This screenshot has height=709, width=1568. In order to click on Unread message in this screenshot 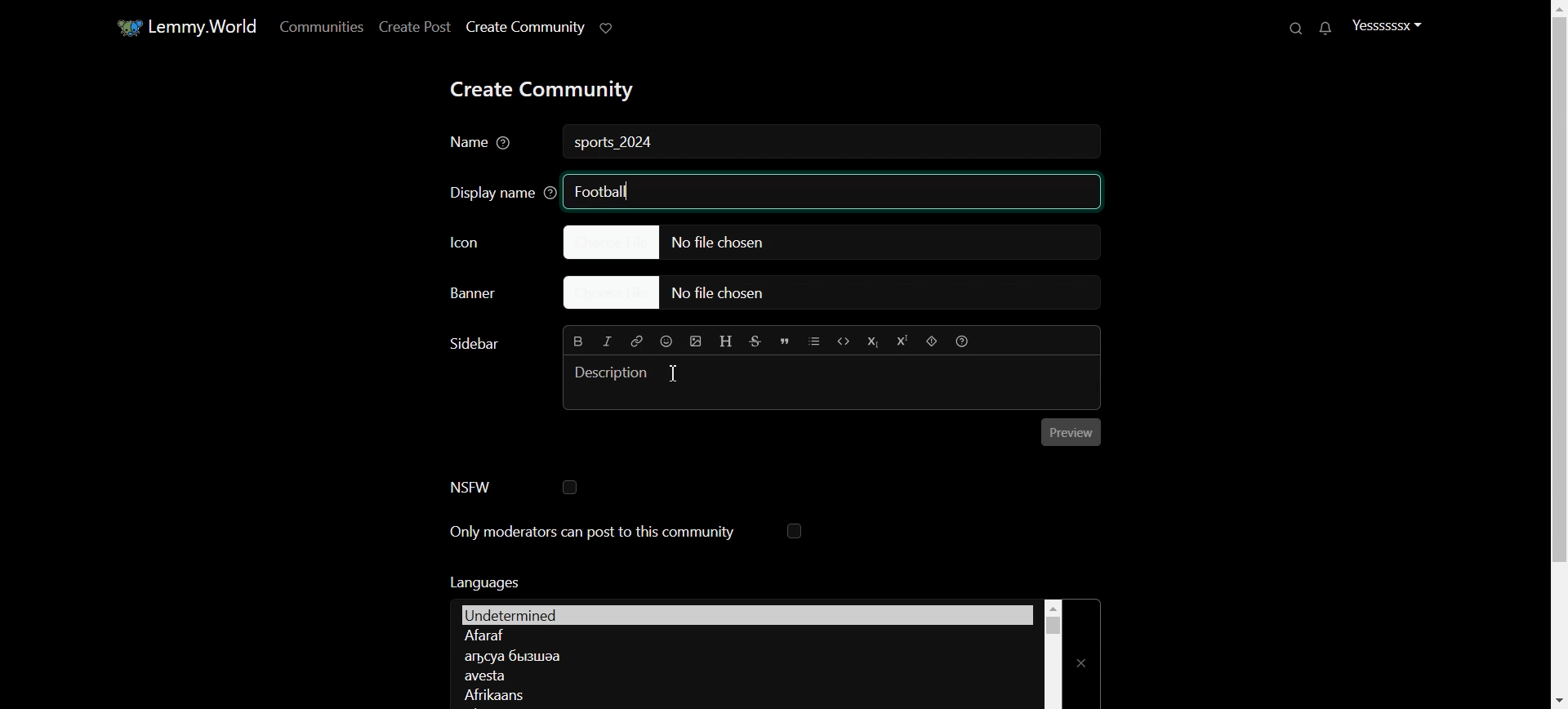, I will do `click(1324, 29)`.